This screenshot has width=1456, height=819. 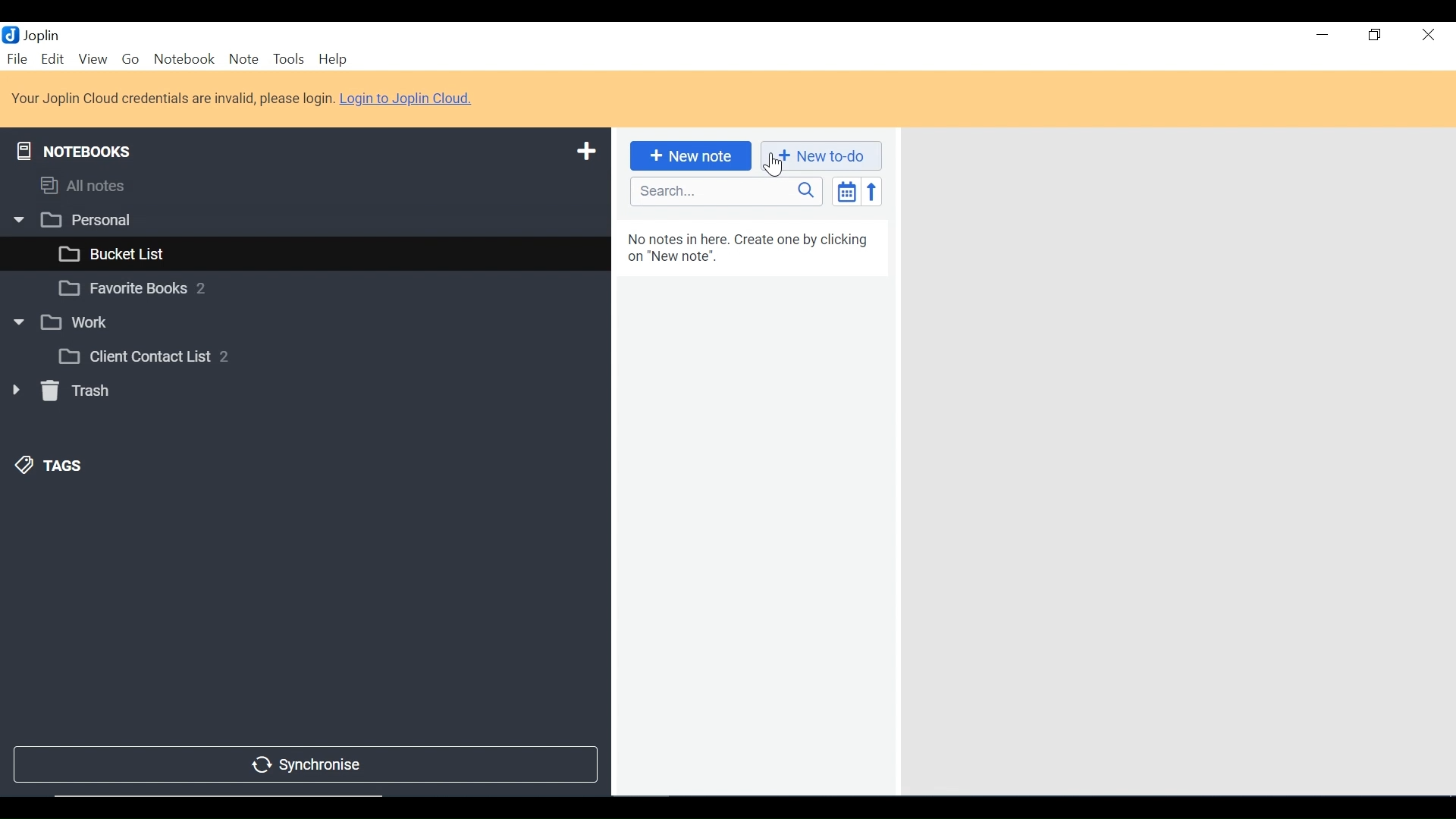 I want to click on Toggle sort editor list, so click(x=845, y=191).